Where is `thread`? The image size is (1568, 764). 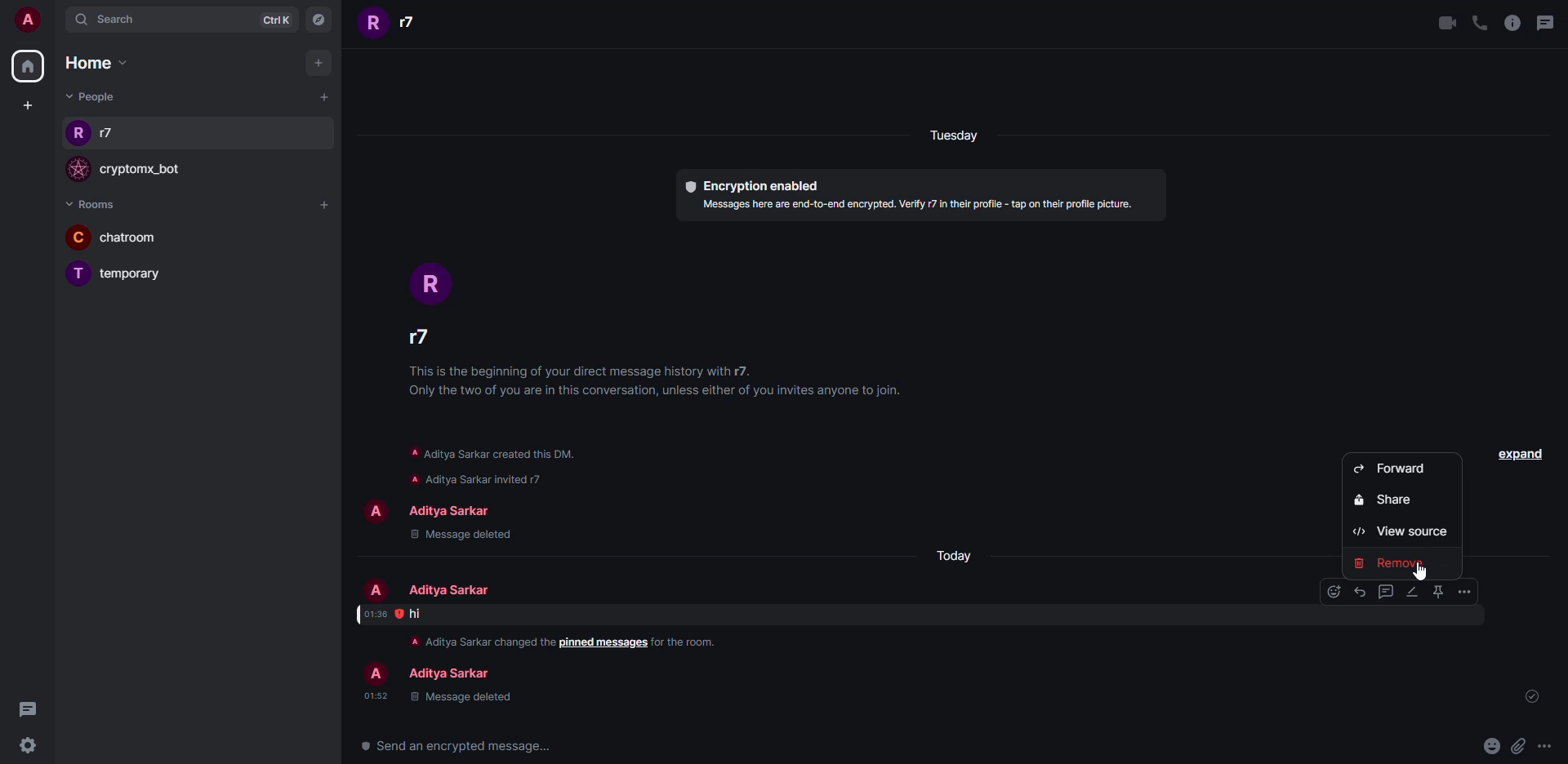
thread is located at coordinates (1386, 591).